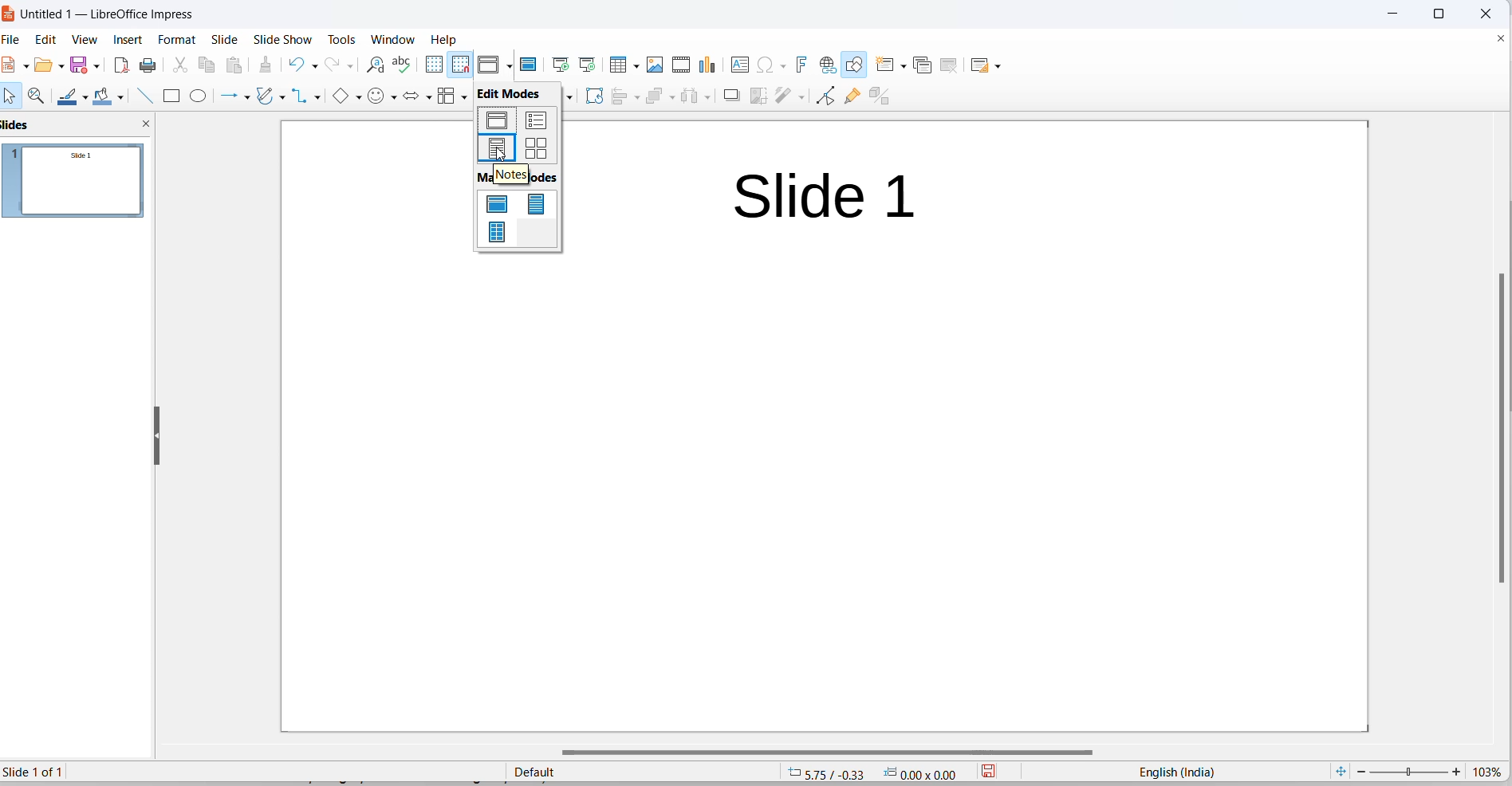 Image resolution: width=1512 pixels, height=786 pixels. Describe the element at coordinates (517, 176) in the screenshot. I see `master modes heading` at that location.